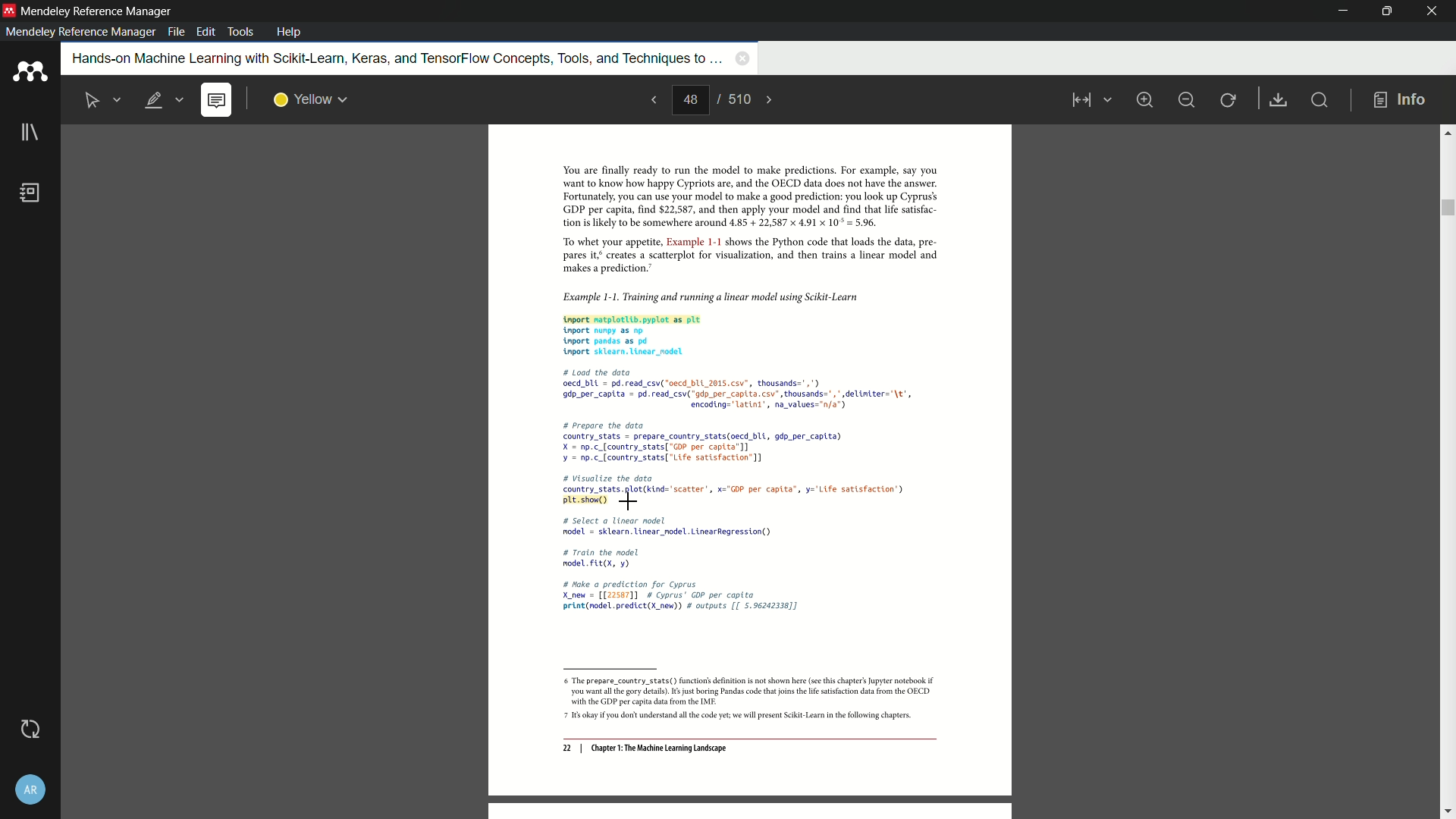  I want to click on find, so click(1318, 99).